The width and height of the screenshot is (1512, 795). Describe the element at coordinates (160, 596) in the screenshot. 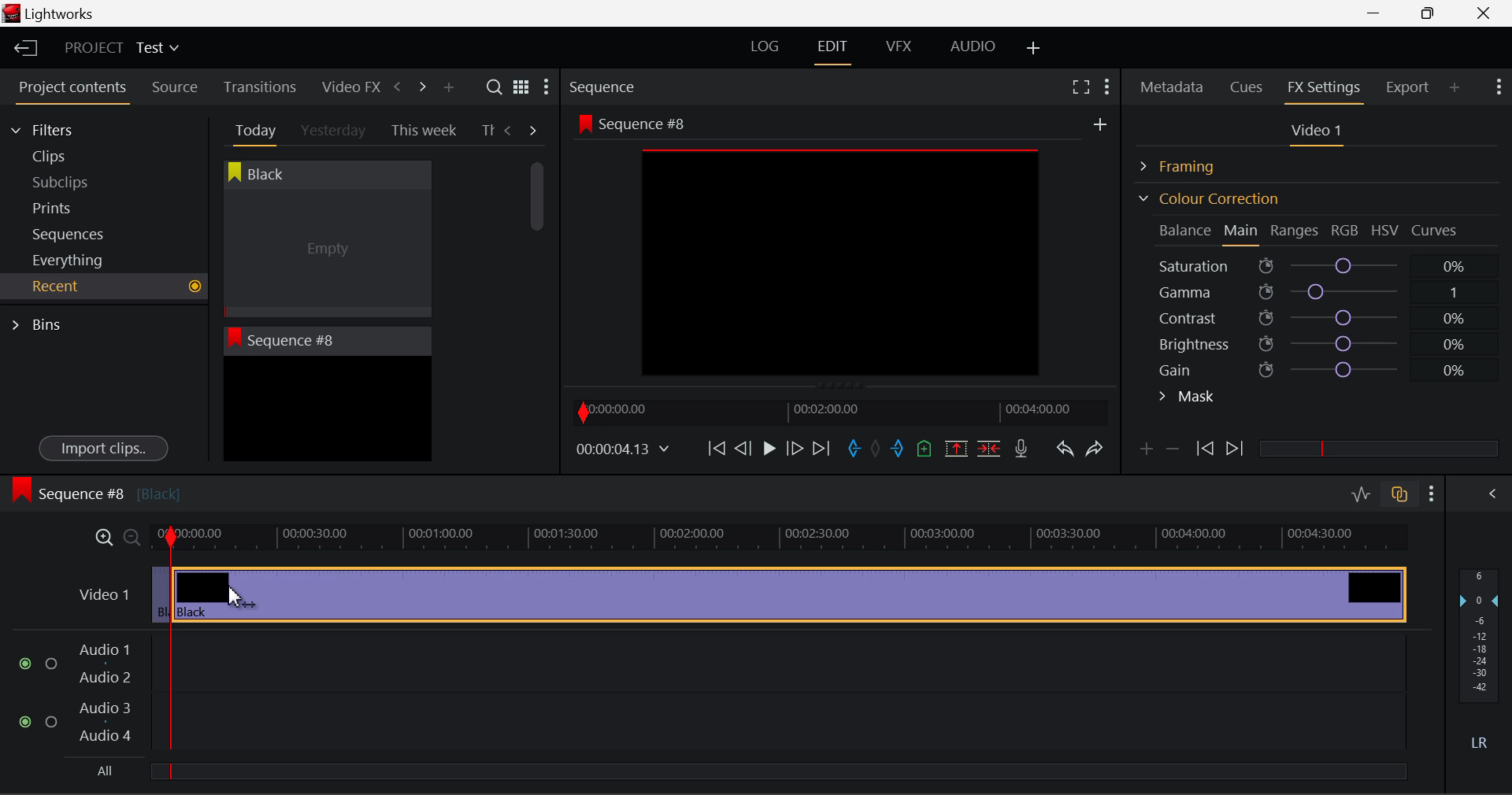

I see `Clip 1 Segment` at that location.